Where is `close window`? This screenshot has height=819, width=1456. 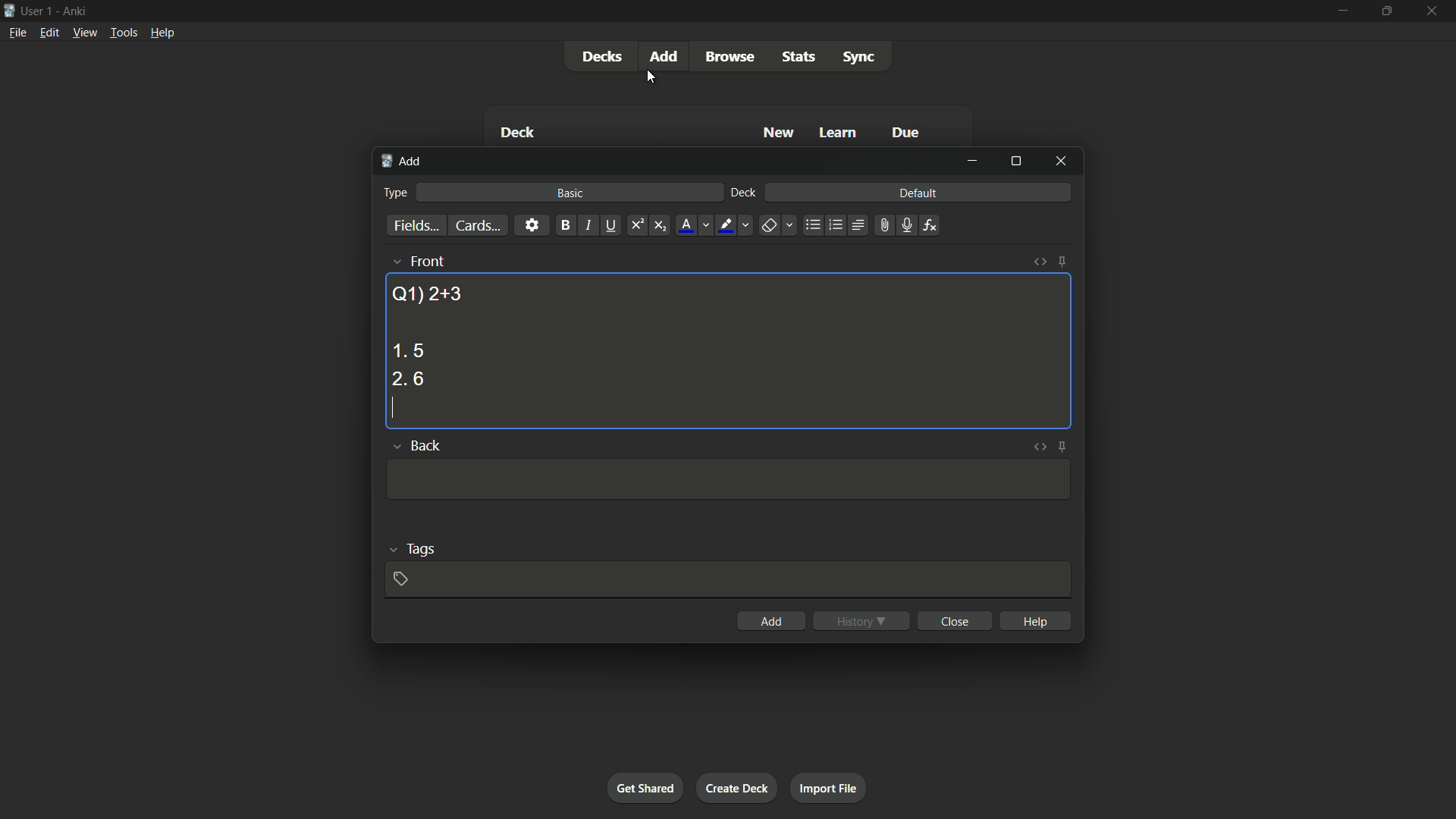
close window is located at coordinates (1062, 160).